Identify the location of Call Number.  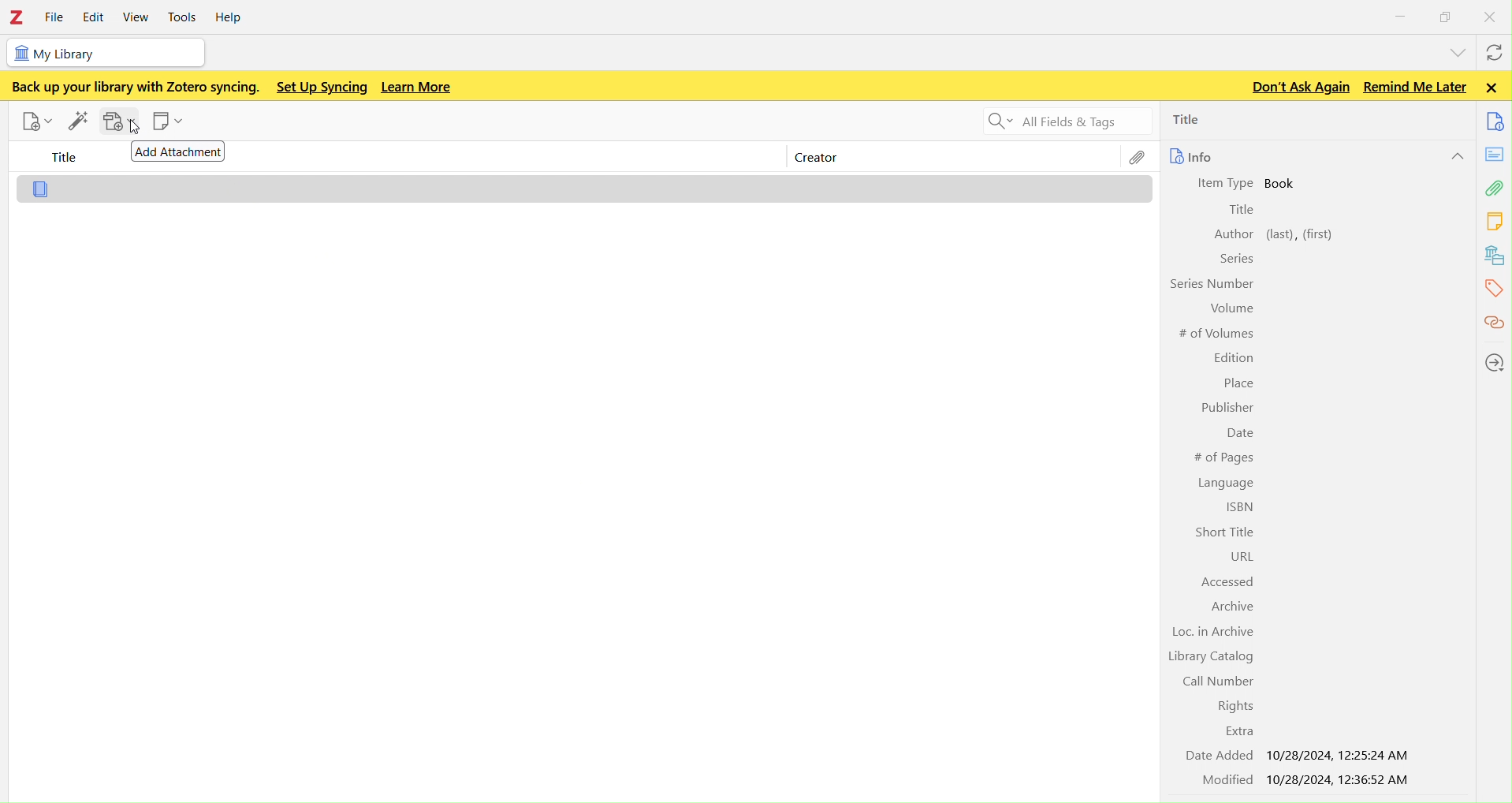
(1220, 680).